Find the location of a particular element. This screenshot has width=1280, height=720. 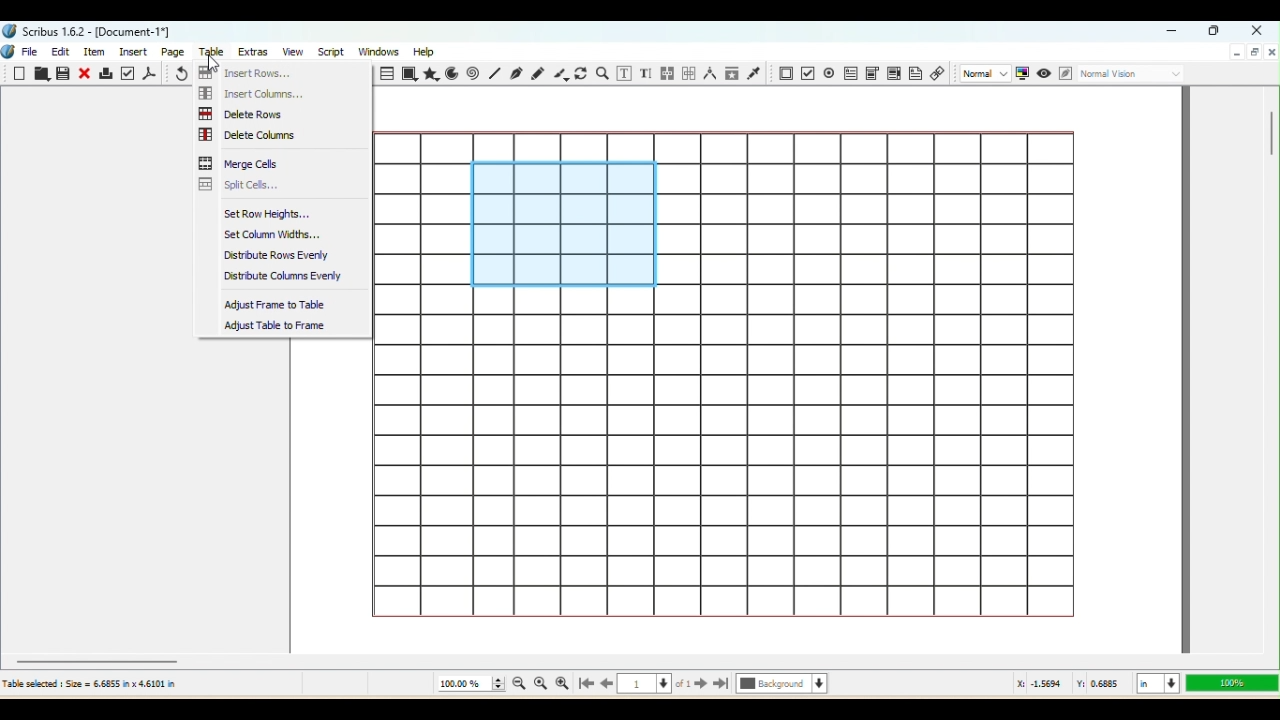

: 1.8413 Y: 1.5099 is located at coordinates (1070, 685).